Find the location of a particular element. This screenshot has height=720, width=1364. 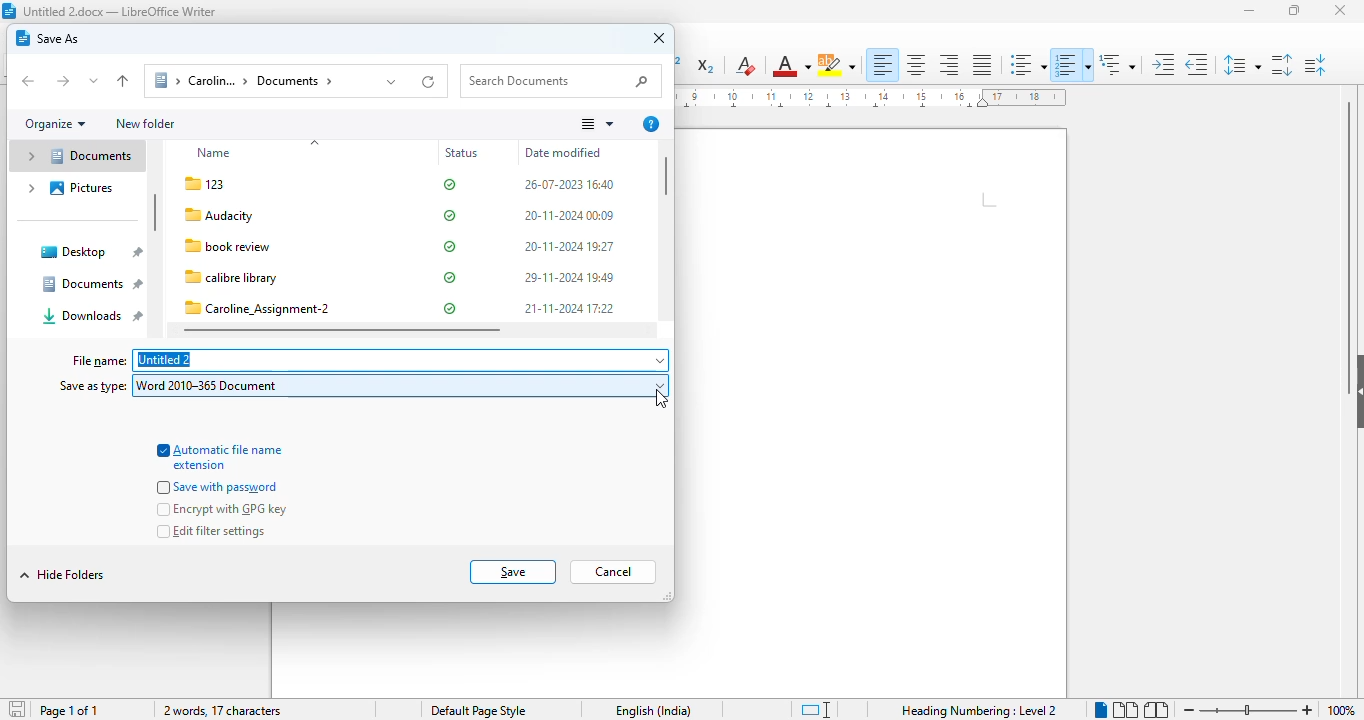

horizontal scroll bar is located at coordinates (342, 330).